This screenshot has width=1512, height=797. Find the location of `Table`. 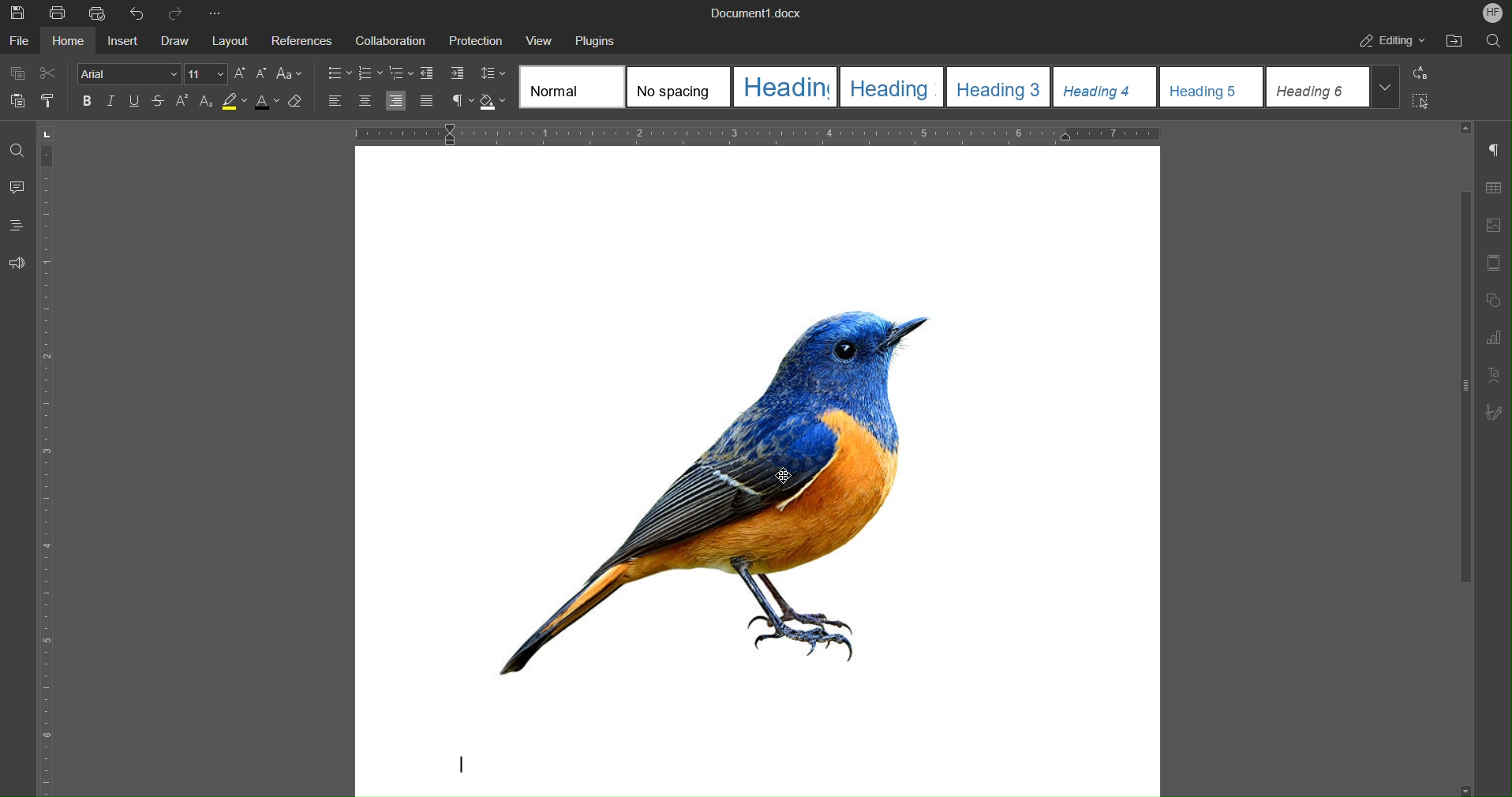

Table is located at coordinates (1493, 186).